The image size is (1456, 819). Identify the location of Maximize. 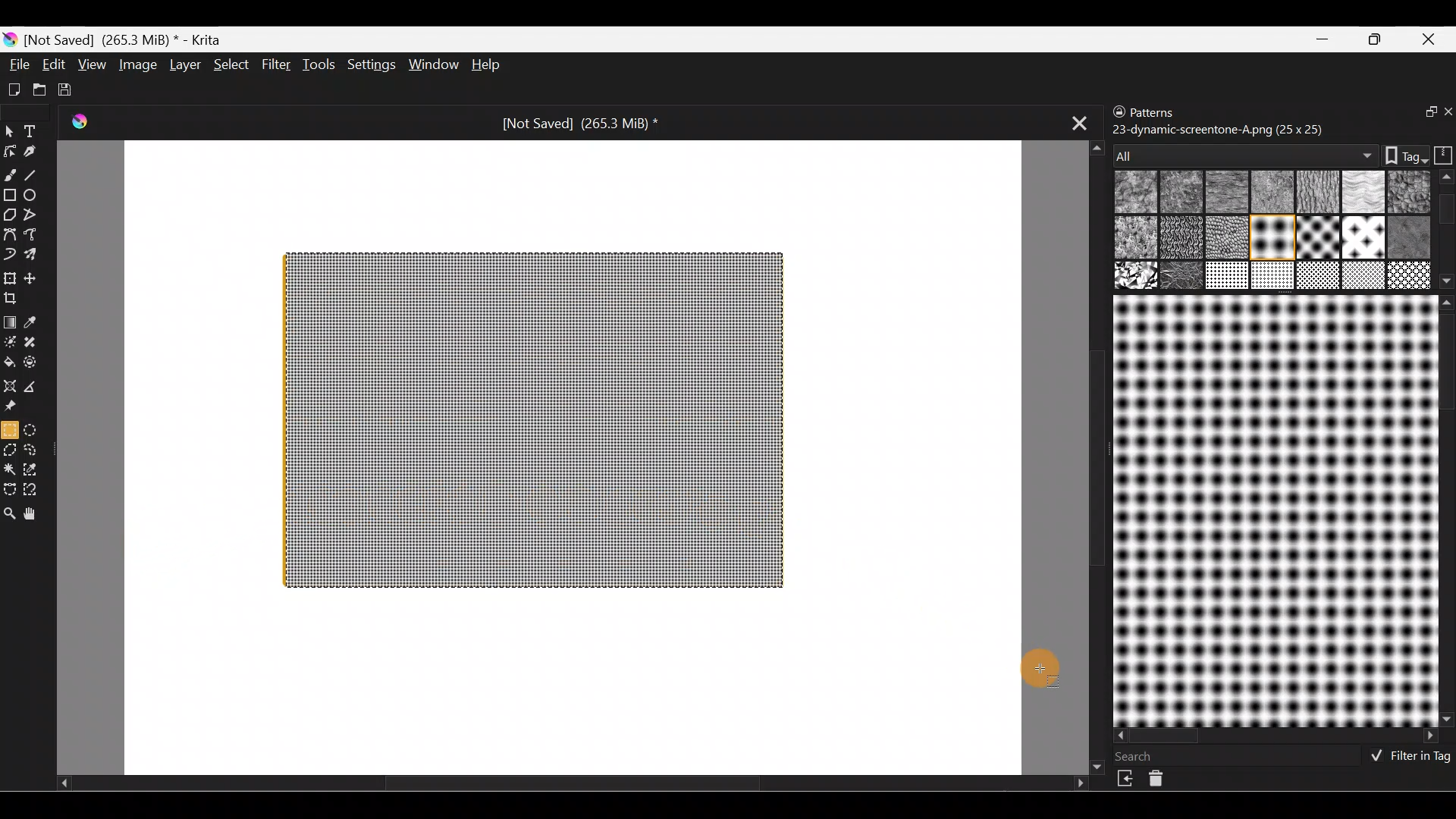
(1379, 39).